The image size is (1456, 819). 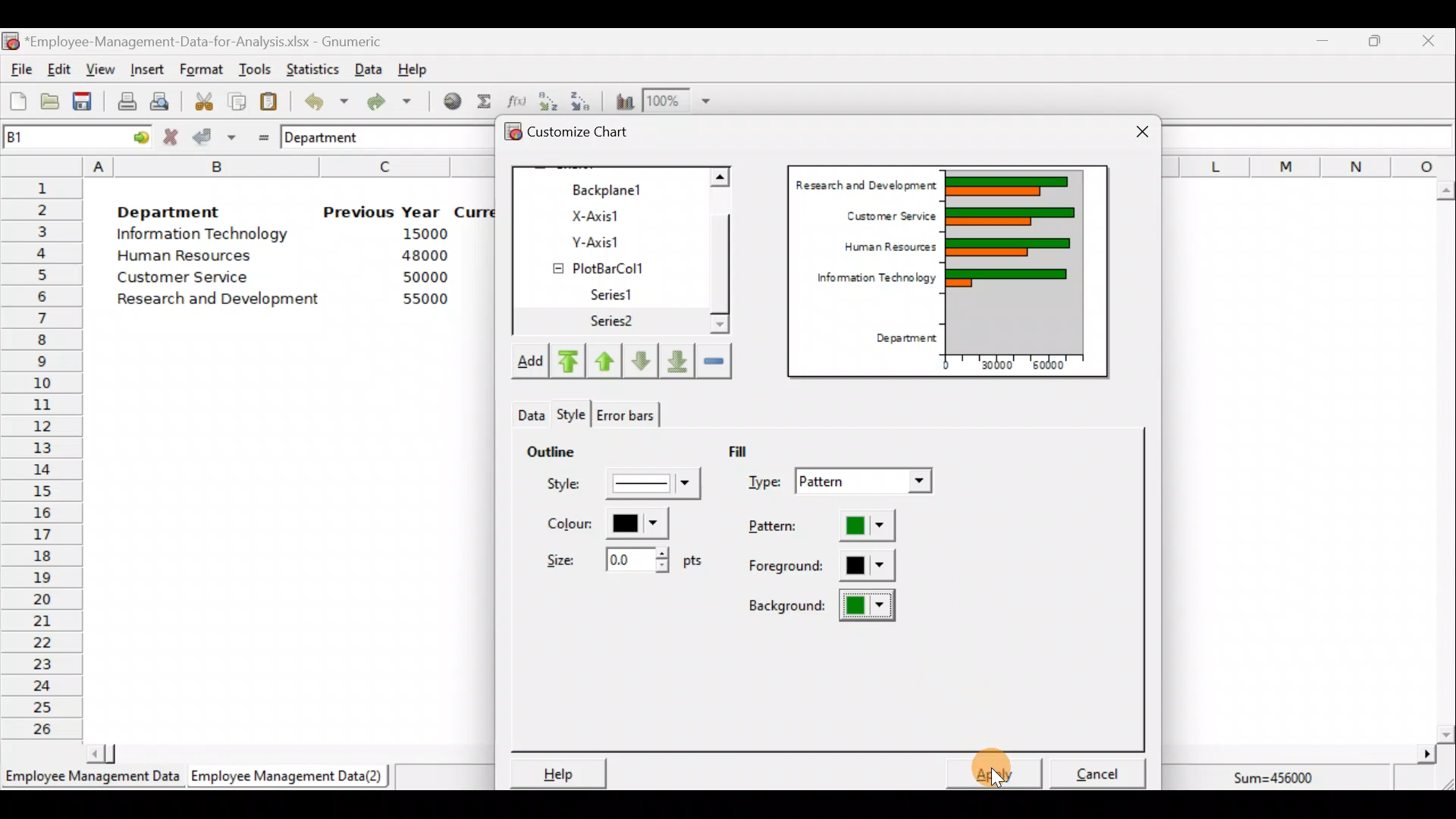 I want to click on Employee Management Data (2), so click(x=290, y=777).